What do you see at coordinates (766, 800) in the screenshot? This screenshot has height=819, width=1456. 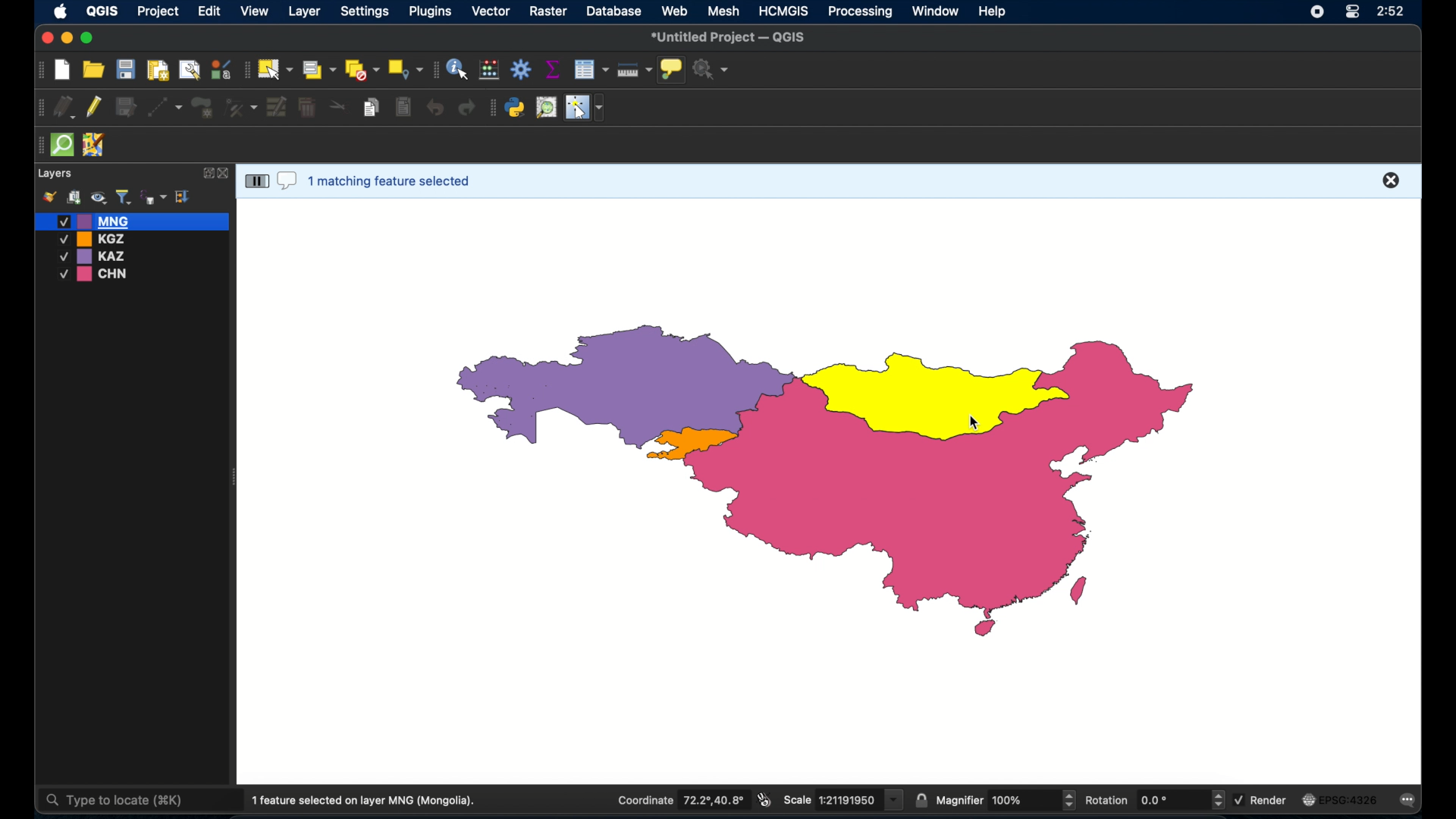 I see `toggle extents and mouse display position` at bounding box center [766, 800].